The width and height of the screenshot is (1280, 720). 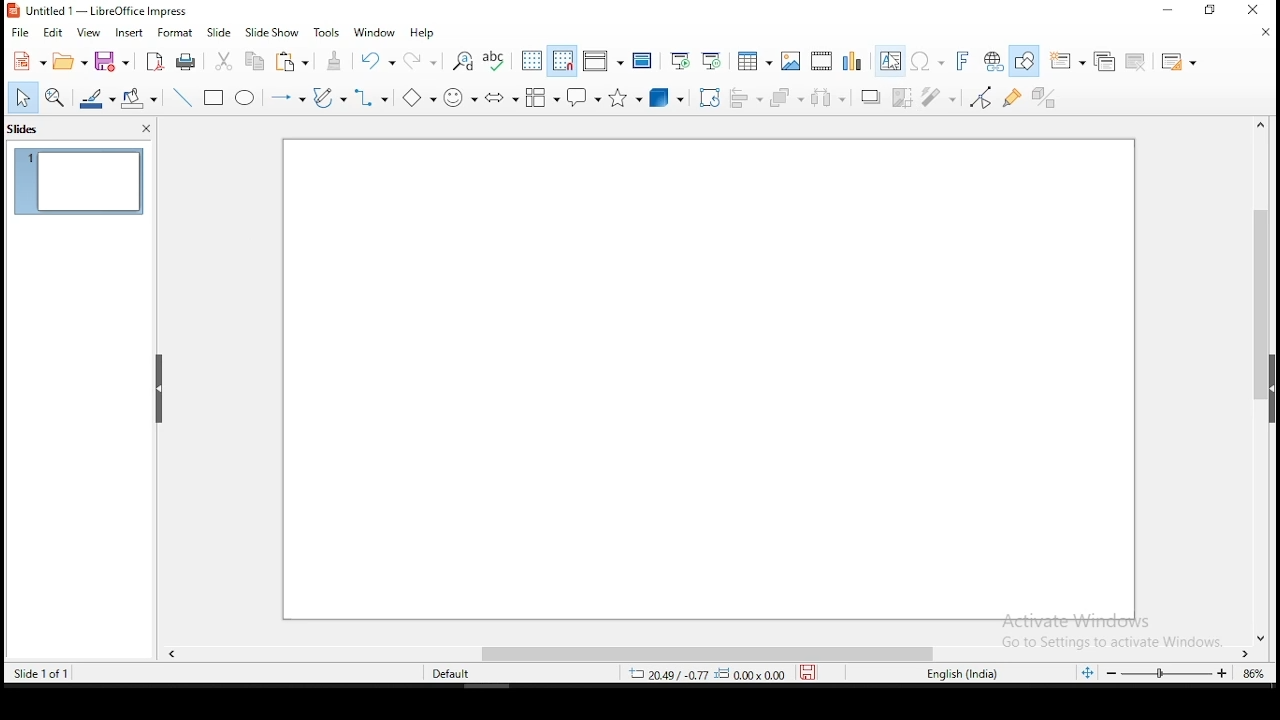 I want to click on select tool, so click(x=21, y=101).